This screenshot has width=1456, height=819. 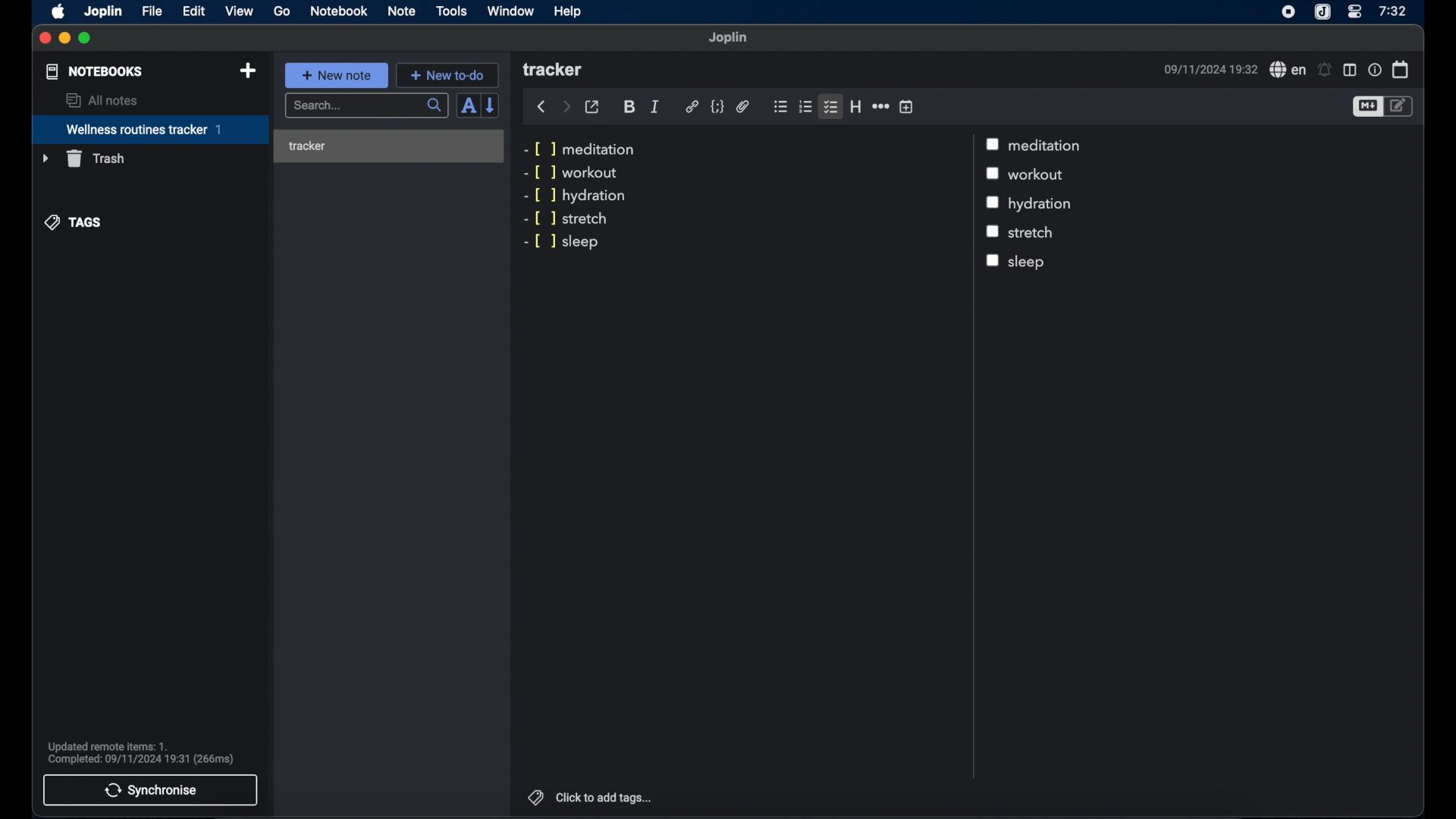 I want to click on stretch, so click(x=1032, y=231).